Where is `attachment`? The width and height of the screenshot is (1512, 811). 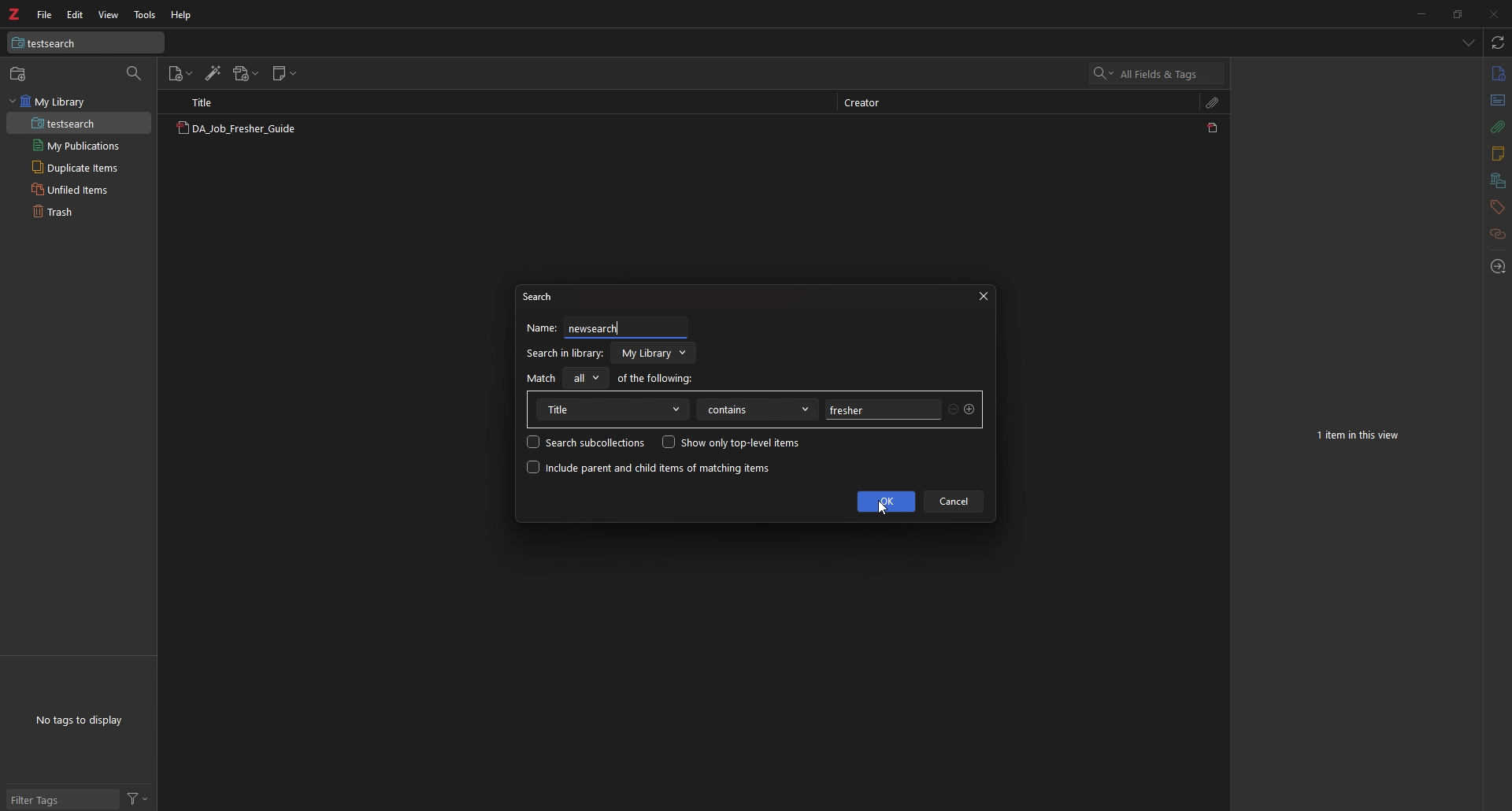 attachment is located at coordinates (1499, 127).